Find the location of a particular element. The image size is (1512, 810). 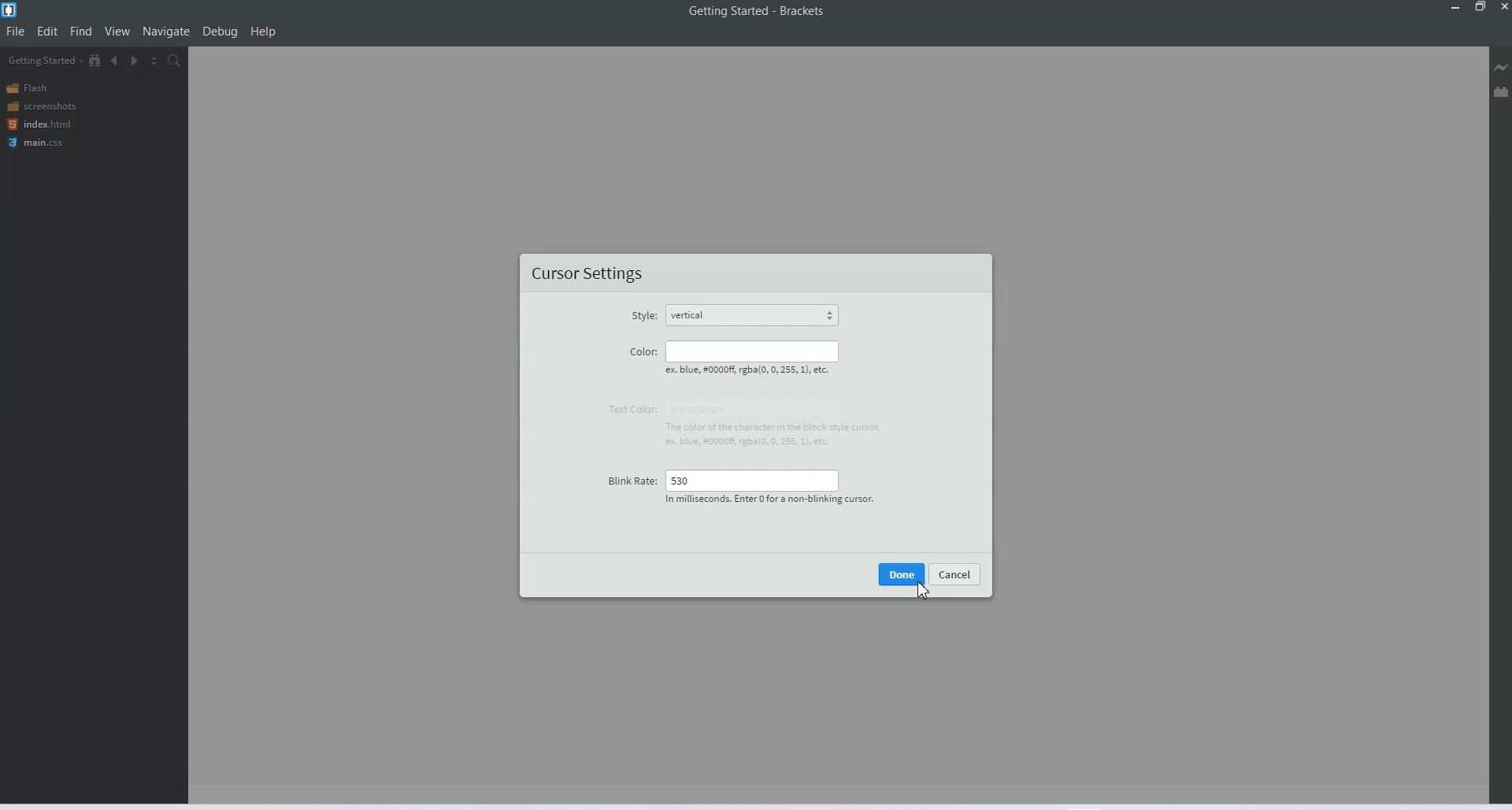

Screenshots is located at coordinates (41, 106).